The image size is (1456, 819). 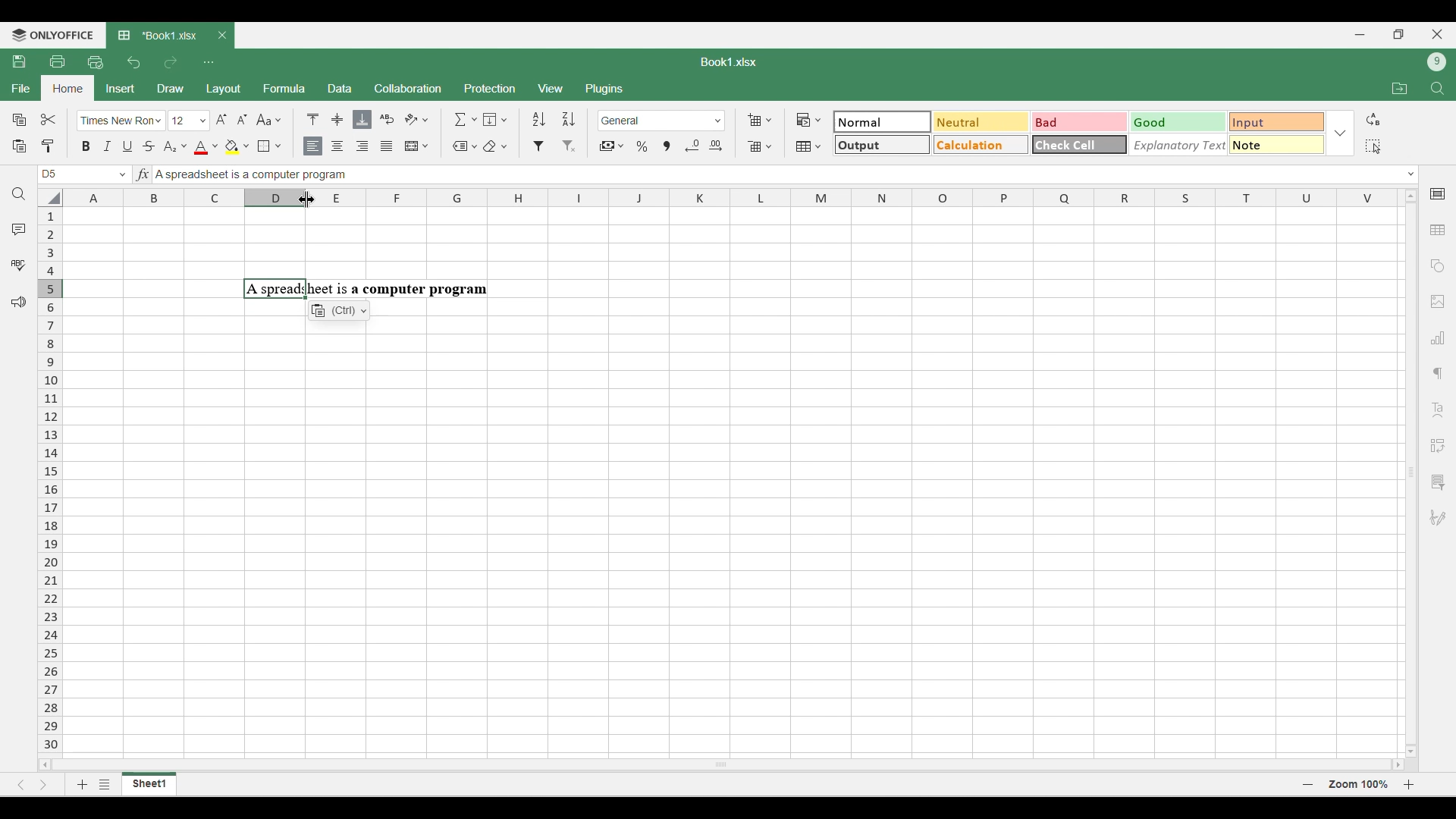 What do you see at coordinates (1409, 784) in the screenshot?
I see `Zoom in` at bounding box center [1409, 784].